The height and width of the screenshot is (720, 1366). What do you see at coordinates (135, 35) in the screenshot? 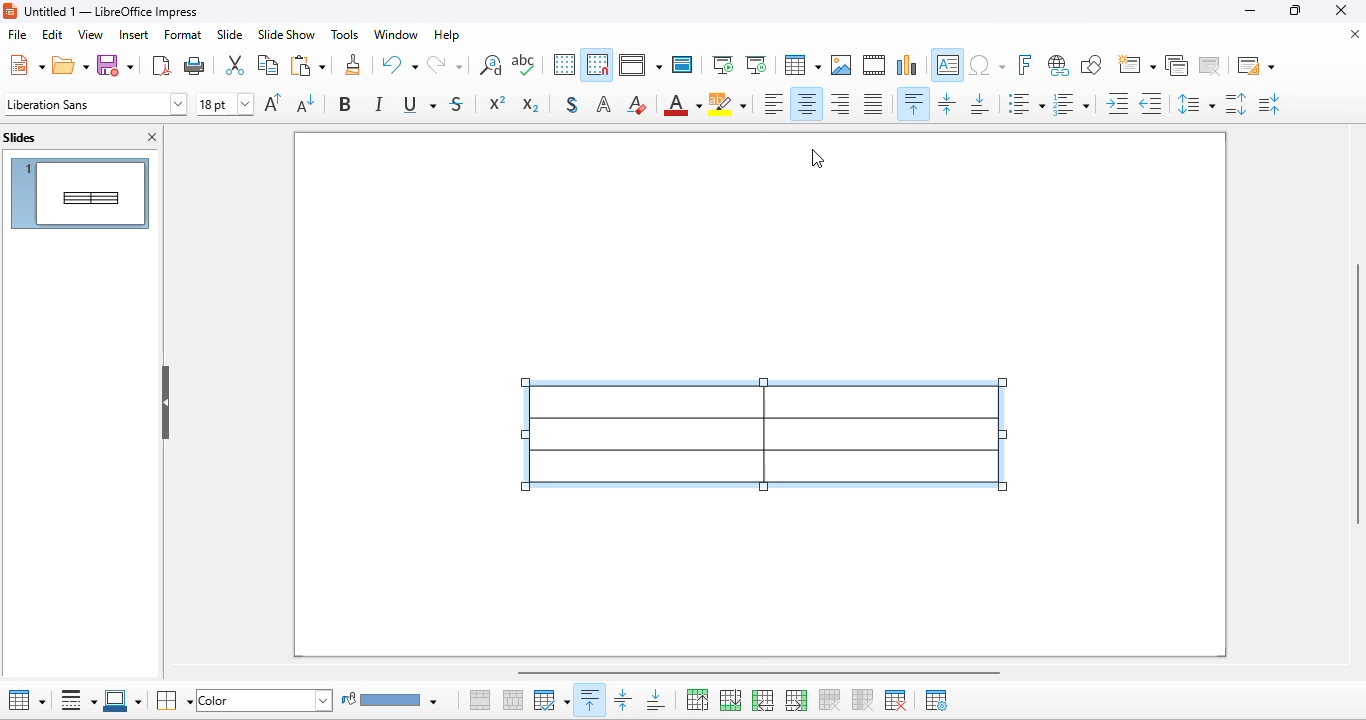
I see `insert` at bounding box center [135, 35].